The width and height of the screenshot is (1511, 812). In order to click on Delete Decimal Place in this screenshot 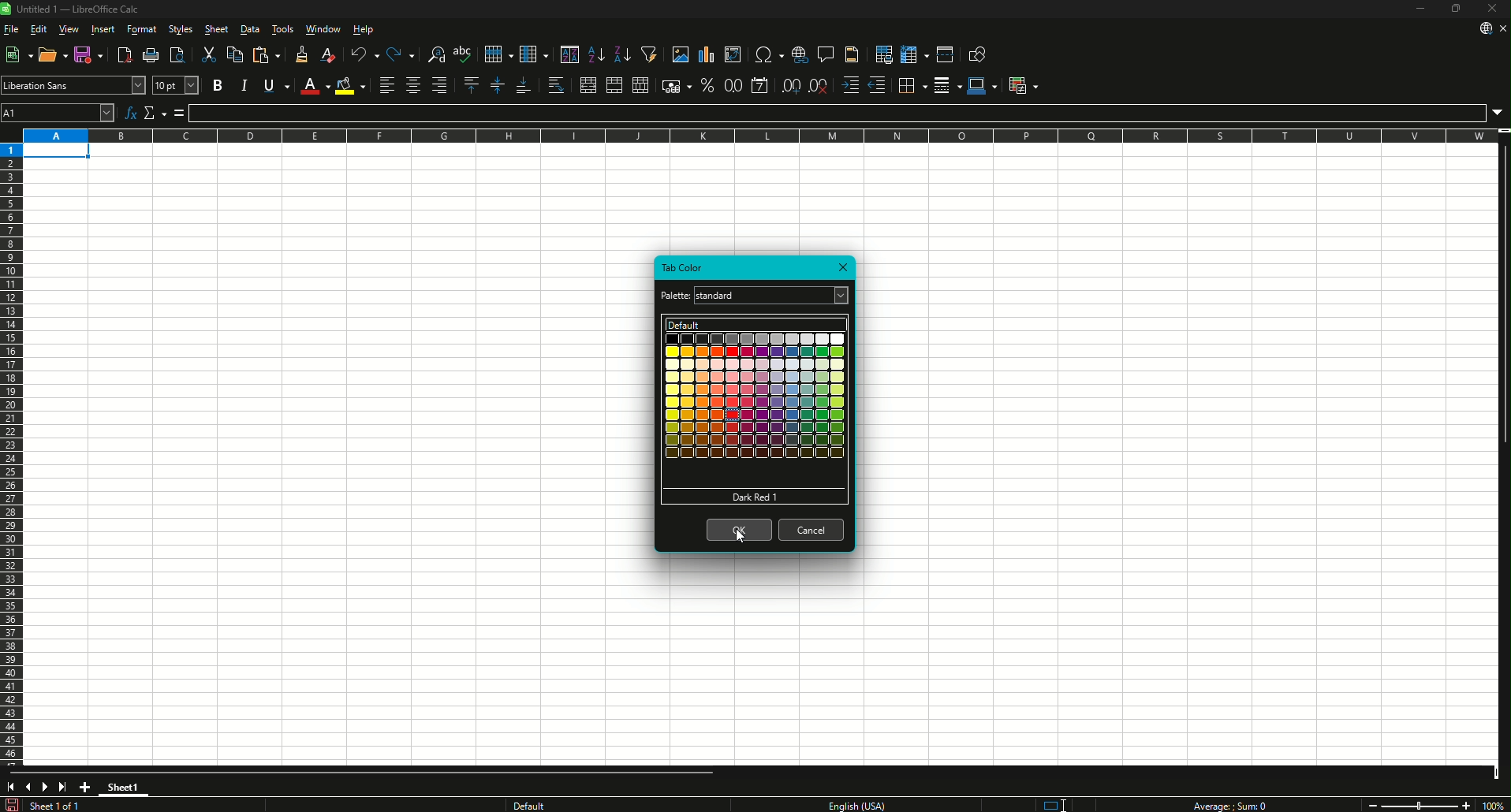, I will do `click(819, 85)`.